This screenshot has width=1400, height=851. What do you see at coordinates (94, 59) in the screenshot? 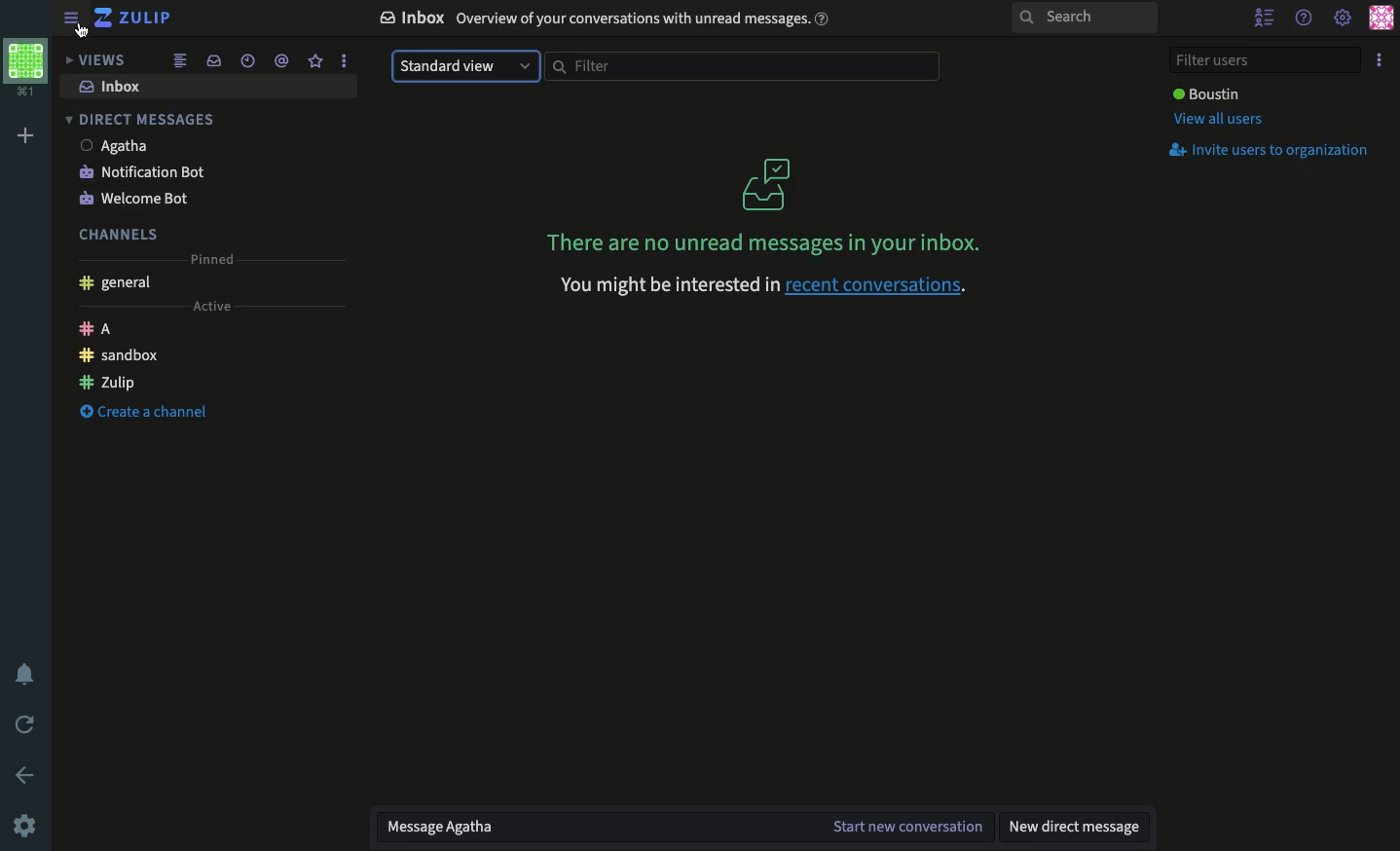
I see `Views` at bounding box center [94, 59].